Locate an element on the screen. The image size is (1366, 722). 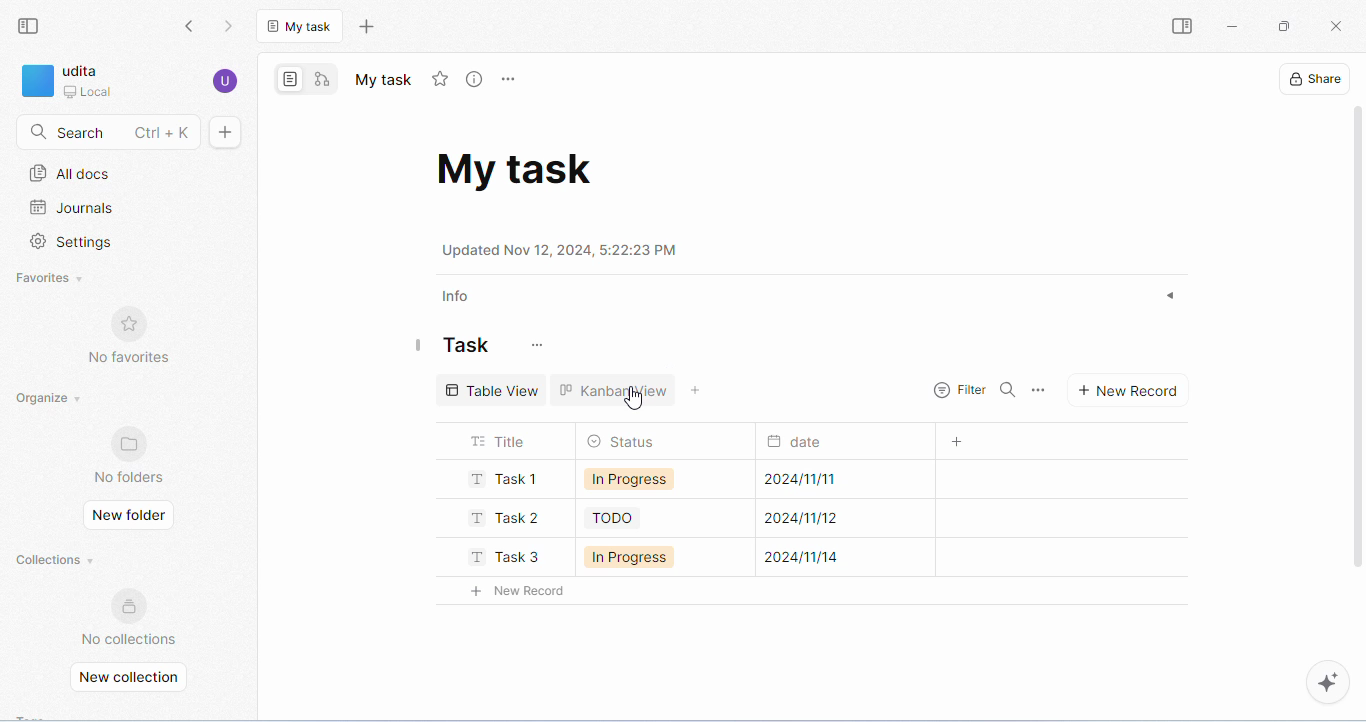
deadline for task2 is located at coordinates (817, 519).